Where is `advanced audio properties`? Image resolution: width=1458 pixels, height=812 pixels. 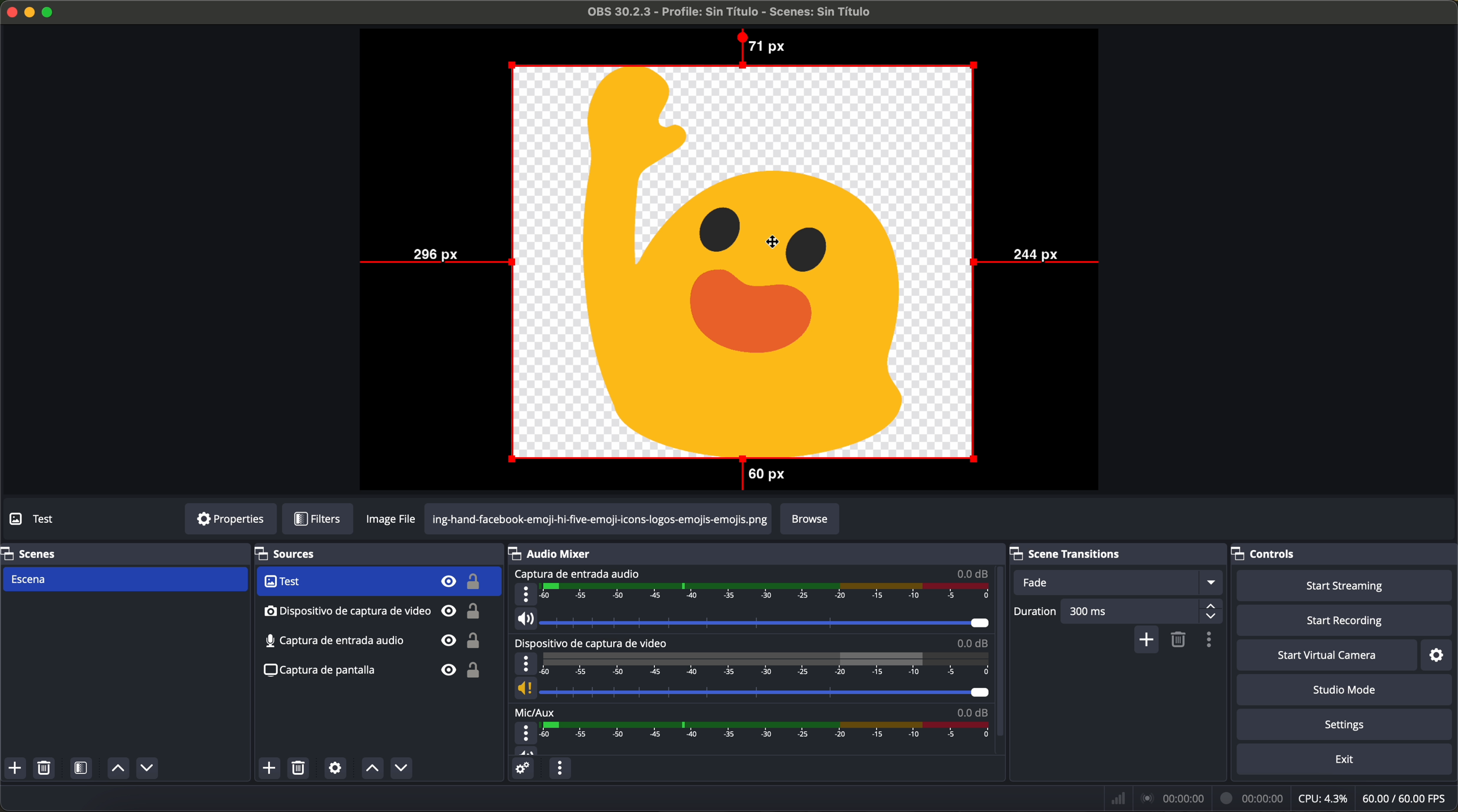 advanced audio properties is located at coordinates (522, 768).